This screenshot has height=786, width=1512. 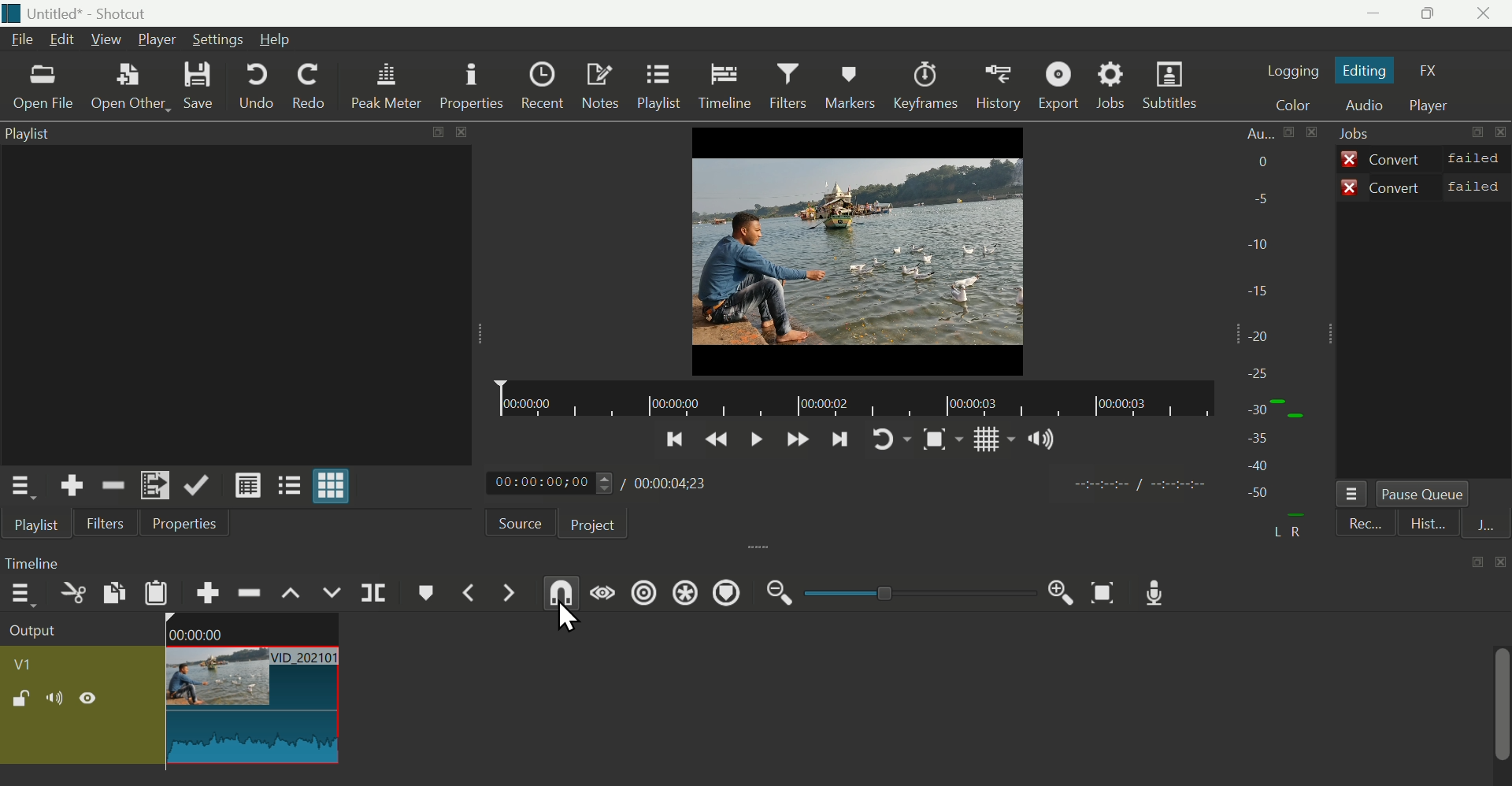 What do you see at coordinates (163, 38) in the screenshot?
I see `` at bounding box center [163, 38].